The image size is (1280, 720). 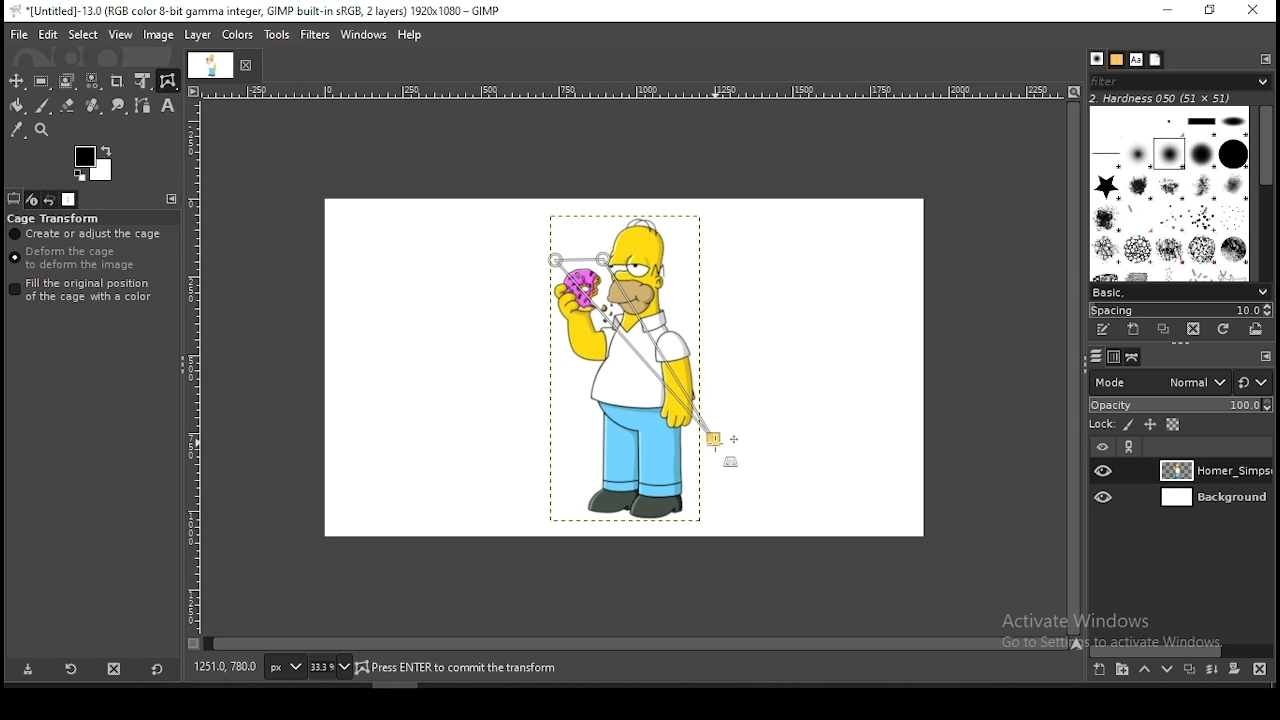 I want to click on cage transform, so click(x=55, y=218).